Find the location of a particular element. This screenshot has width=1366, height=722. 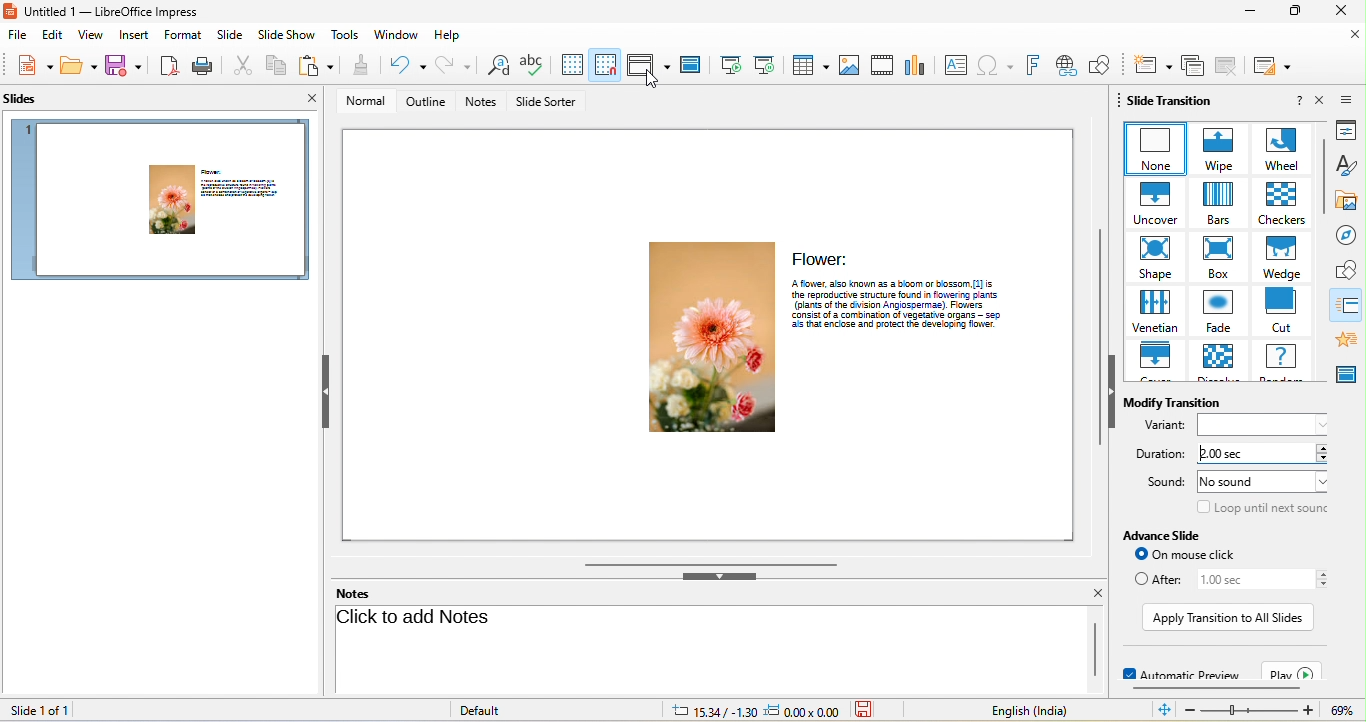

slide layout is located at coordinates (1276, 65).